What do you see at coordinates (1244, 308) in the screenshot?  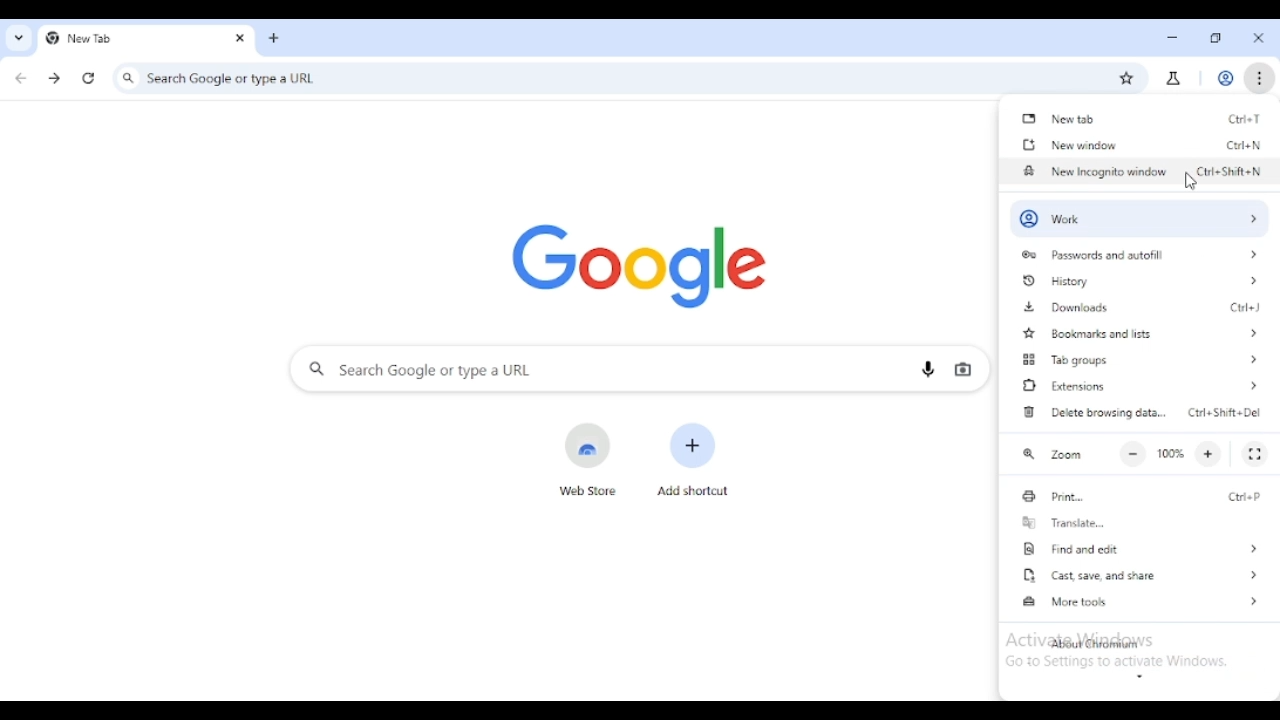 I see `shortcut for downloads` at bounding box center [1244, 308].